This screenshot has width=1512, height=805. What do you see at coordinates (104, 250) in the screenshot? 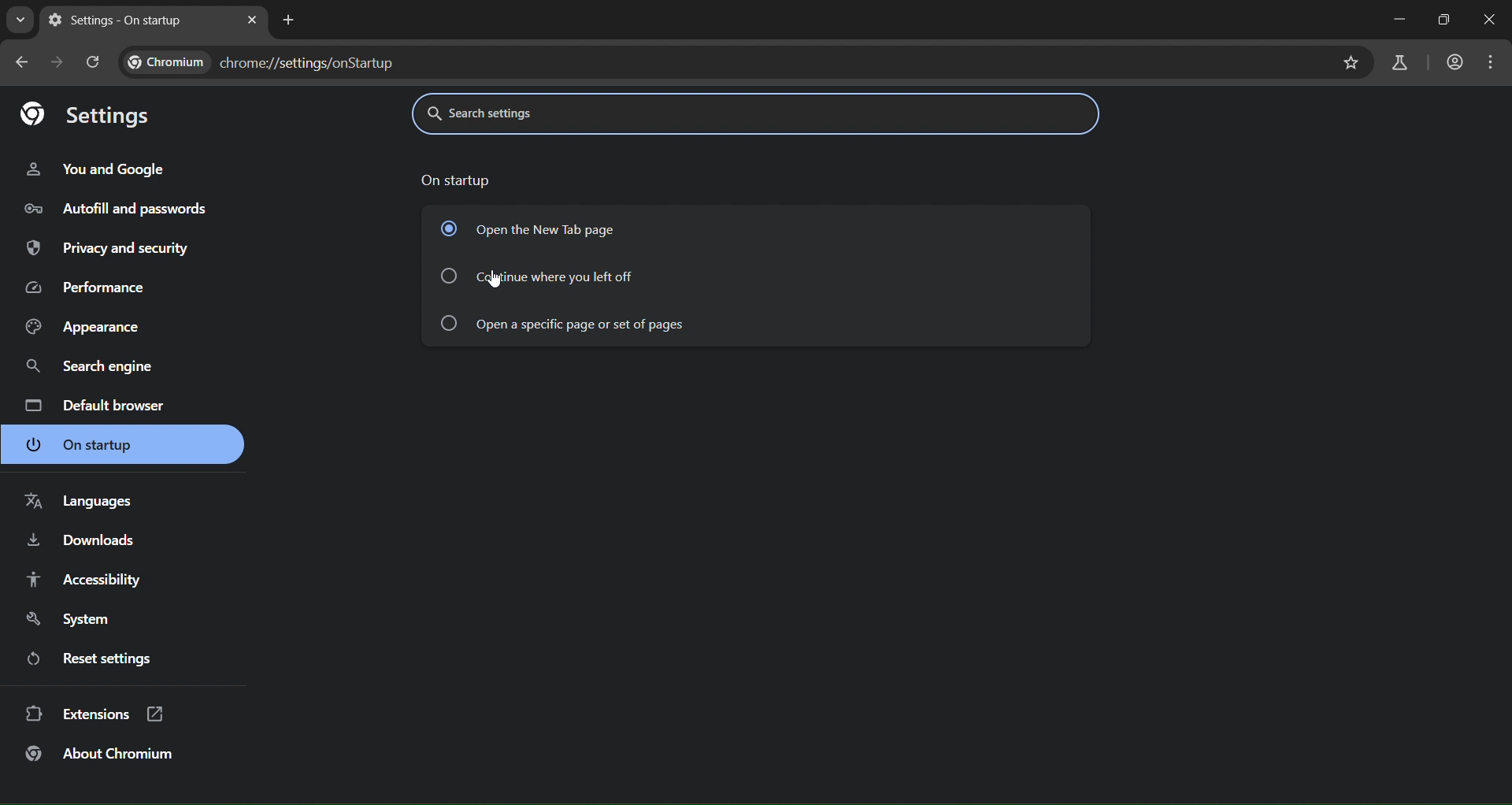
I see `input and security` at bounding box center [104, 250].